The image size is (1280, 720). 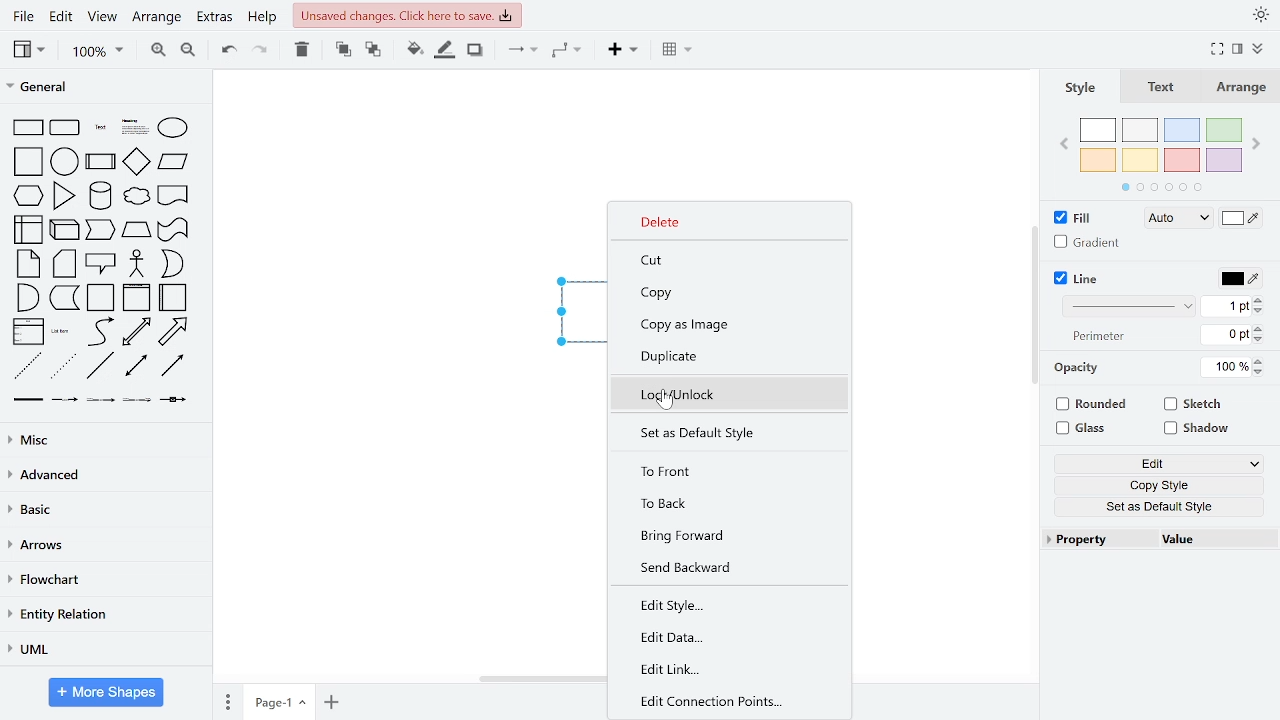 I want to click on vertical scrollbar, so click(x=1037, y=308).